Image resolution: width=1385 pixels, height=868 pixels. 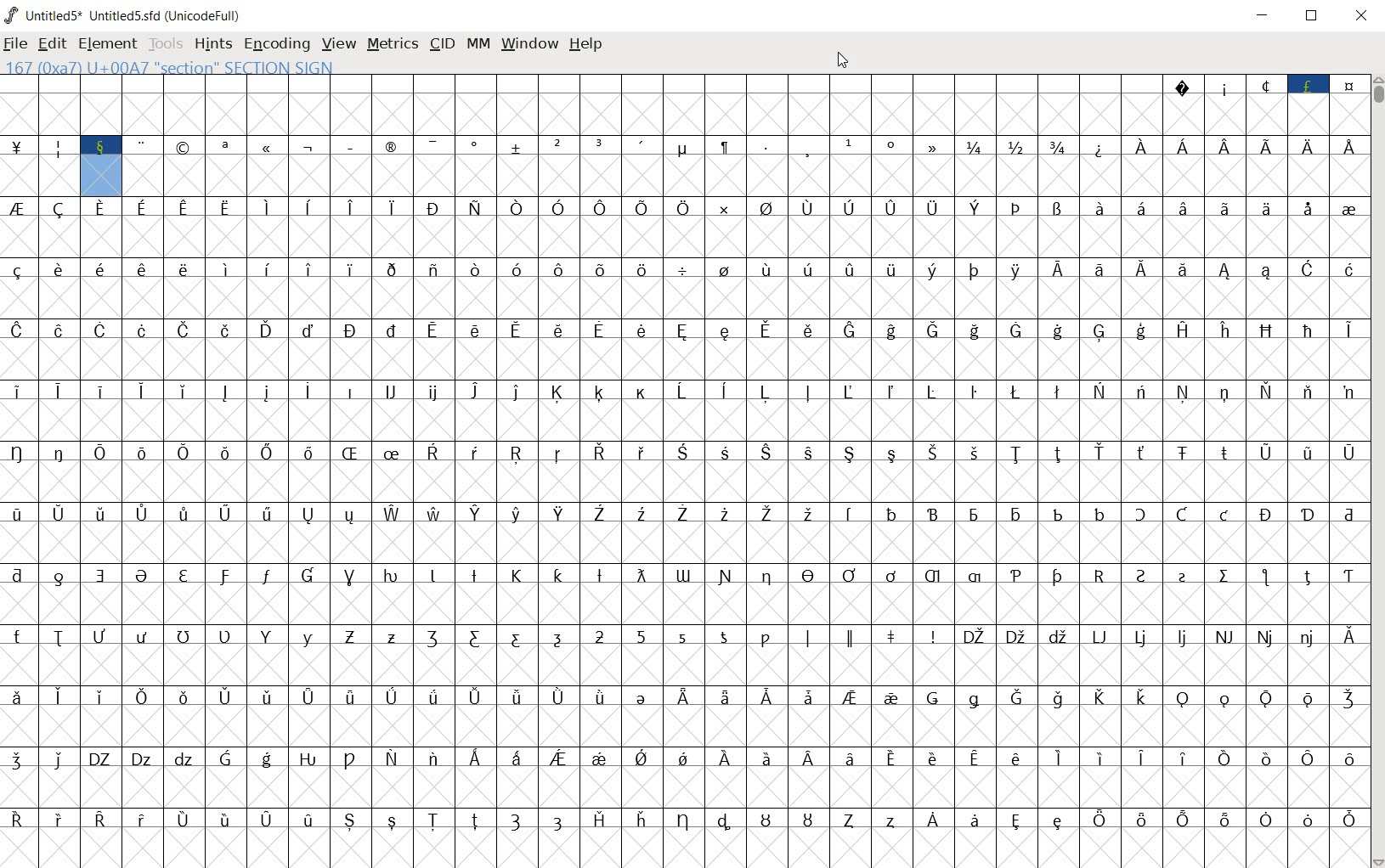 I want to click on special characters, so click(x=1099, y=166).